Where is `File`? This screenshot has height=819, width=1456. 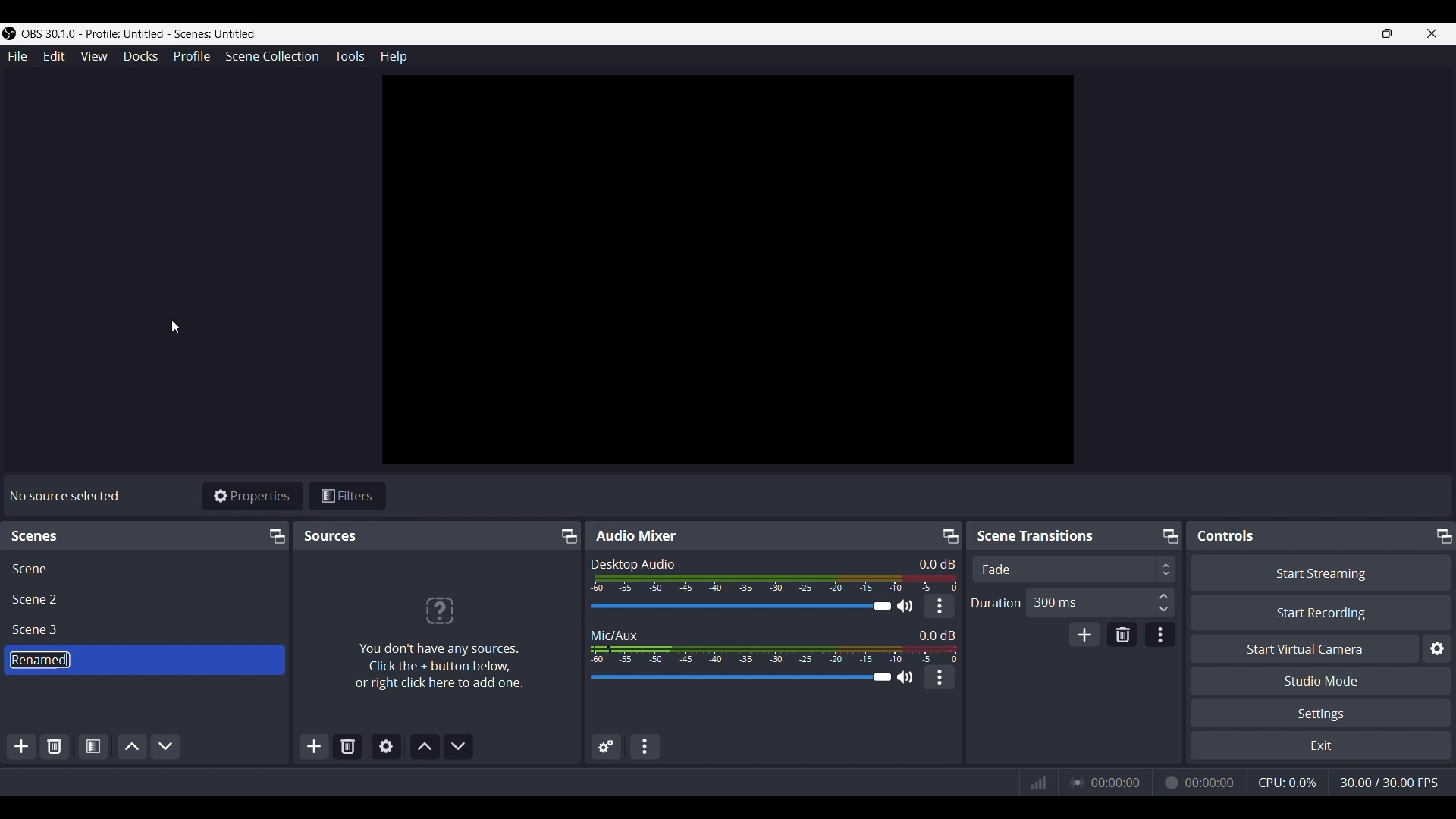 File is located at coordinates (20, 56).